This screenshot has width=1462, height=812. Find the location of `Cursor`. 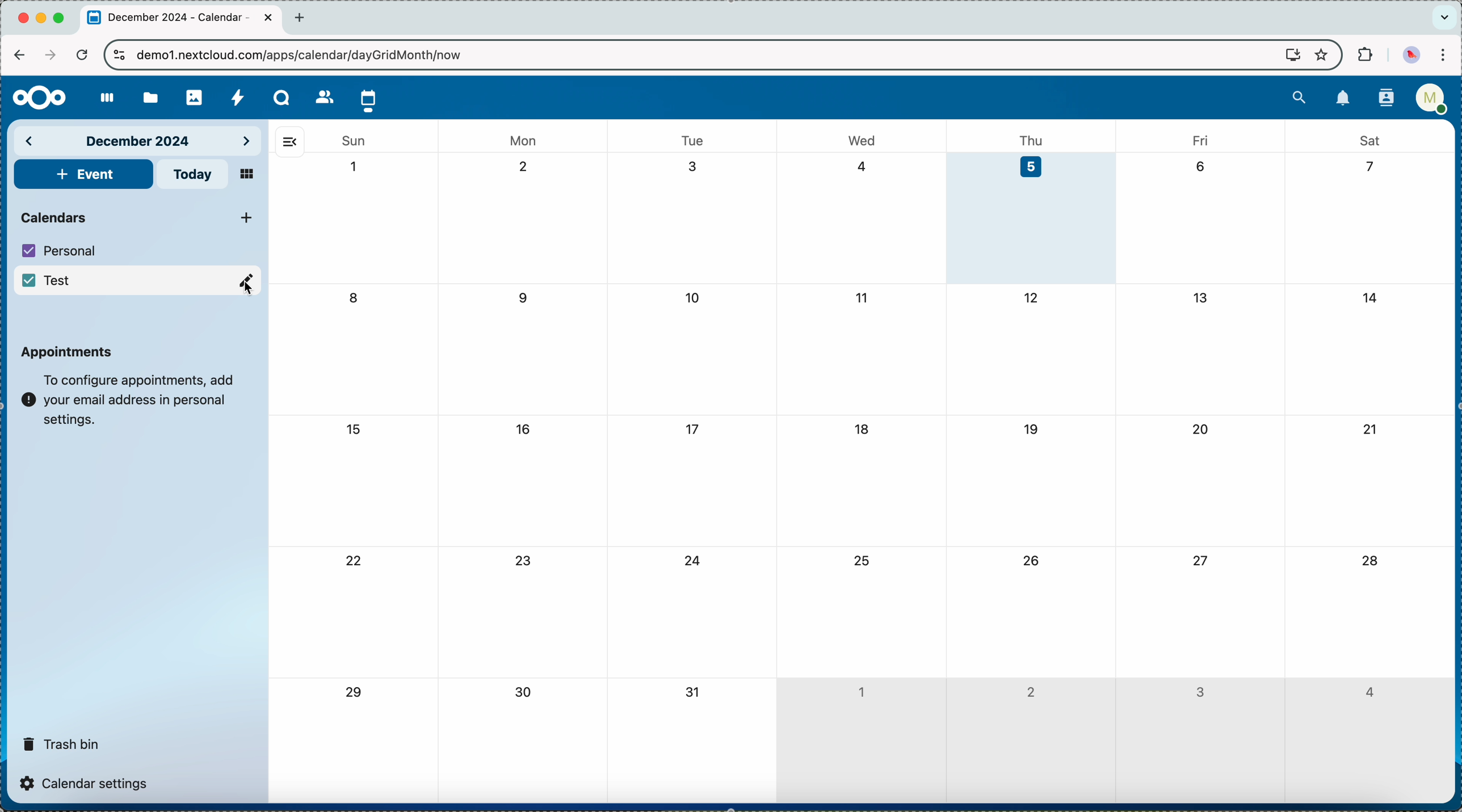

Cursor is located at coordinates (250, 287).